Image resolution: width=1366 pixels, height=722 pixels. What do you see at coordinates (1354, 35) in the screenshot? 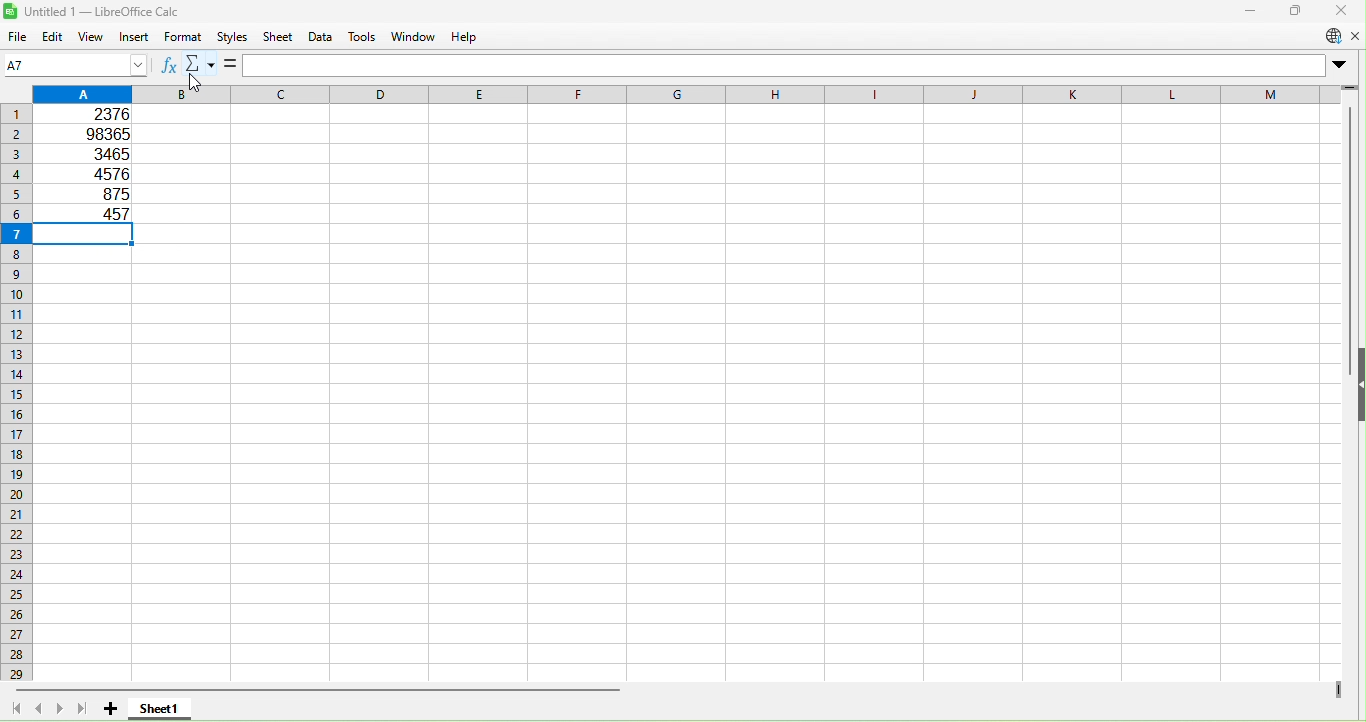
I see `Close document` at bounding box center [1354, 35].